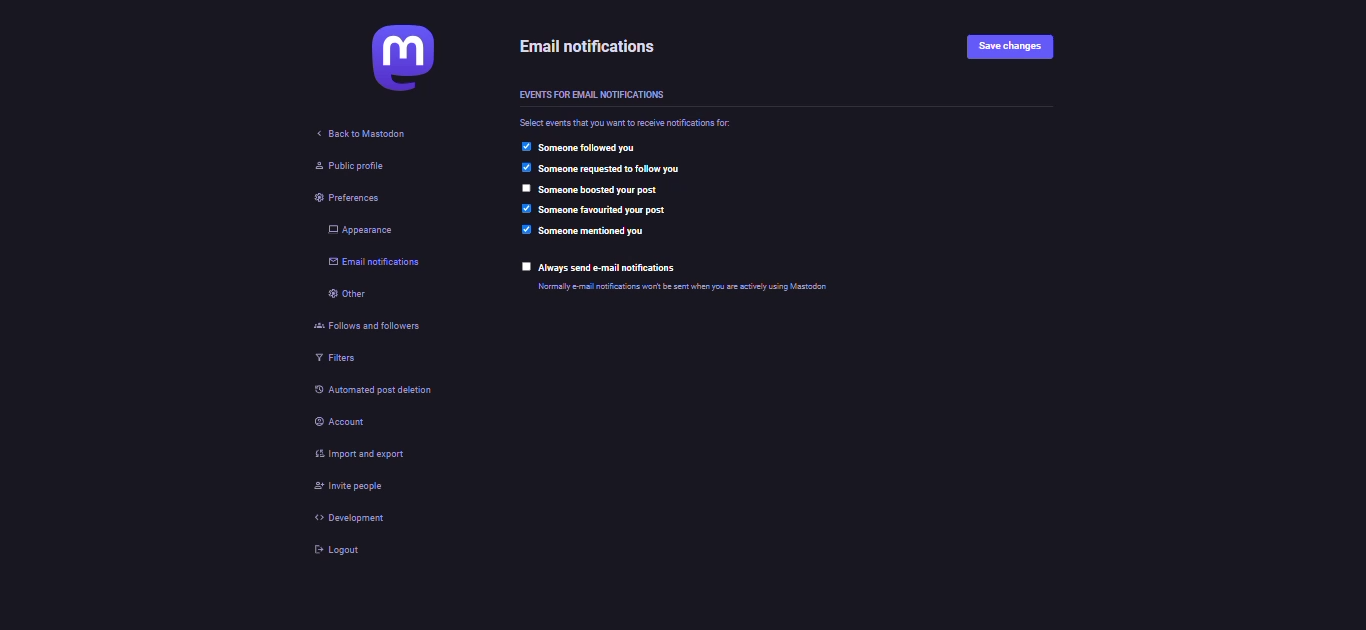 This screenshot has width=1366, height=630. I want to click on appearance, so click(352, 230).